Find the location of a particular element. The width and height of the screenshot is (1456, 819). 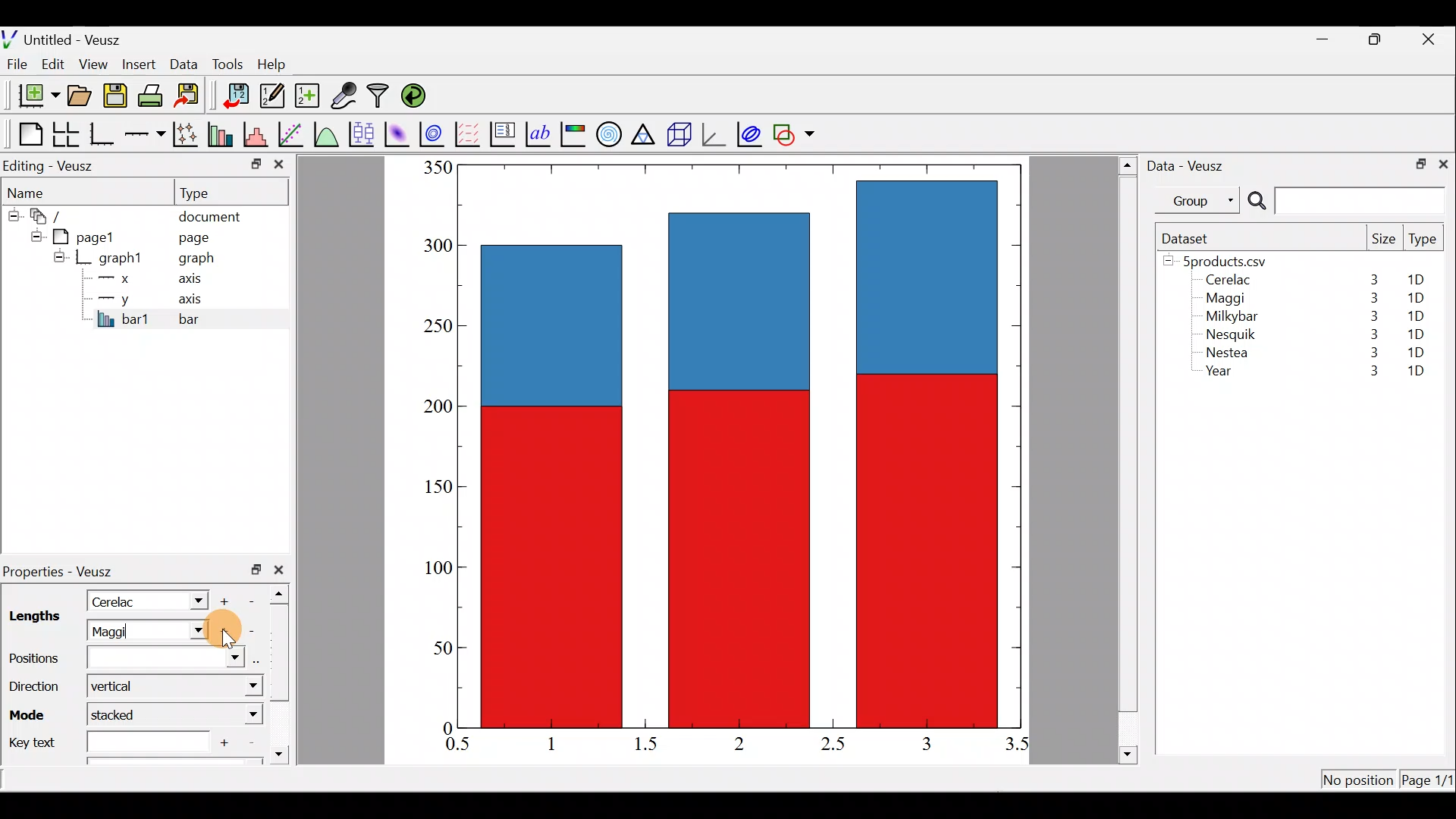

Nestea is located at coordinates (1228, 353).